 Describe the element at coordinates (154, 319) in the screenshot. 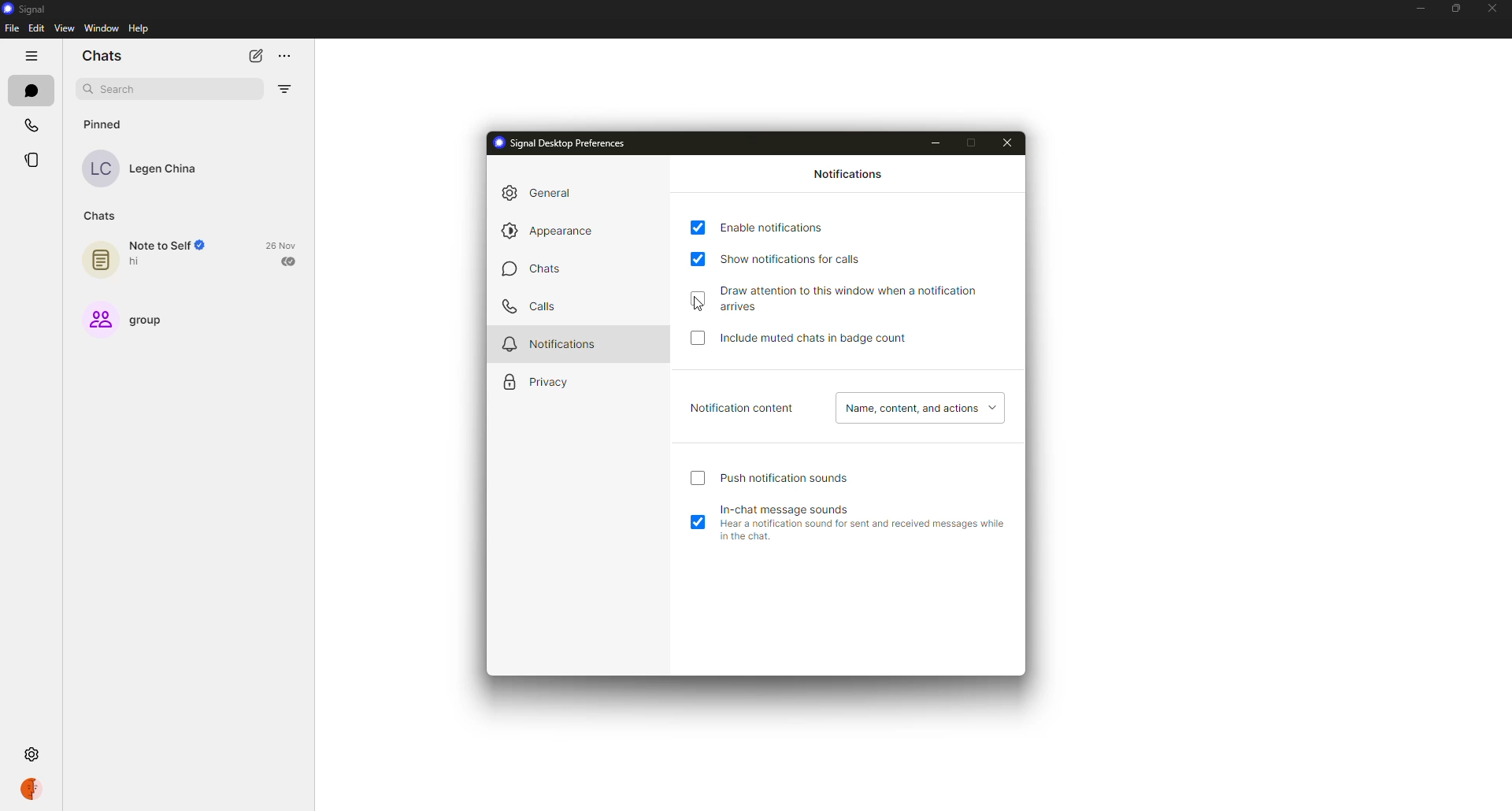

I see `group` at that location.